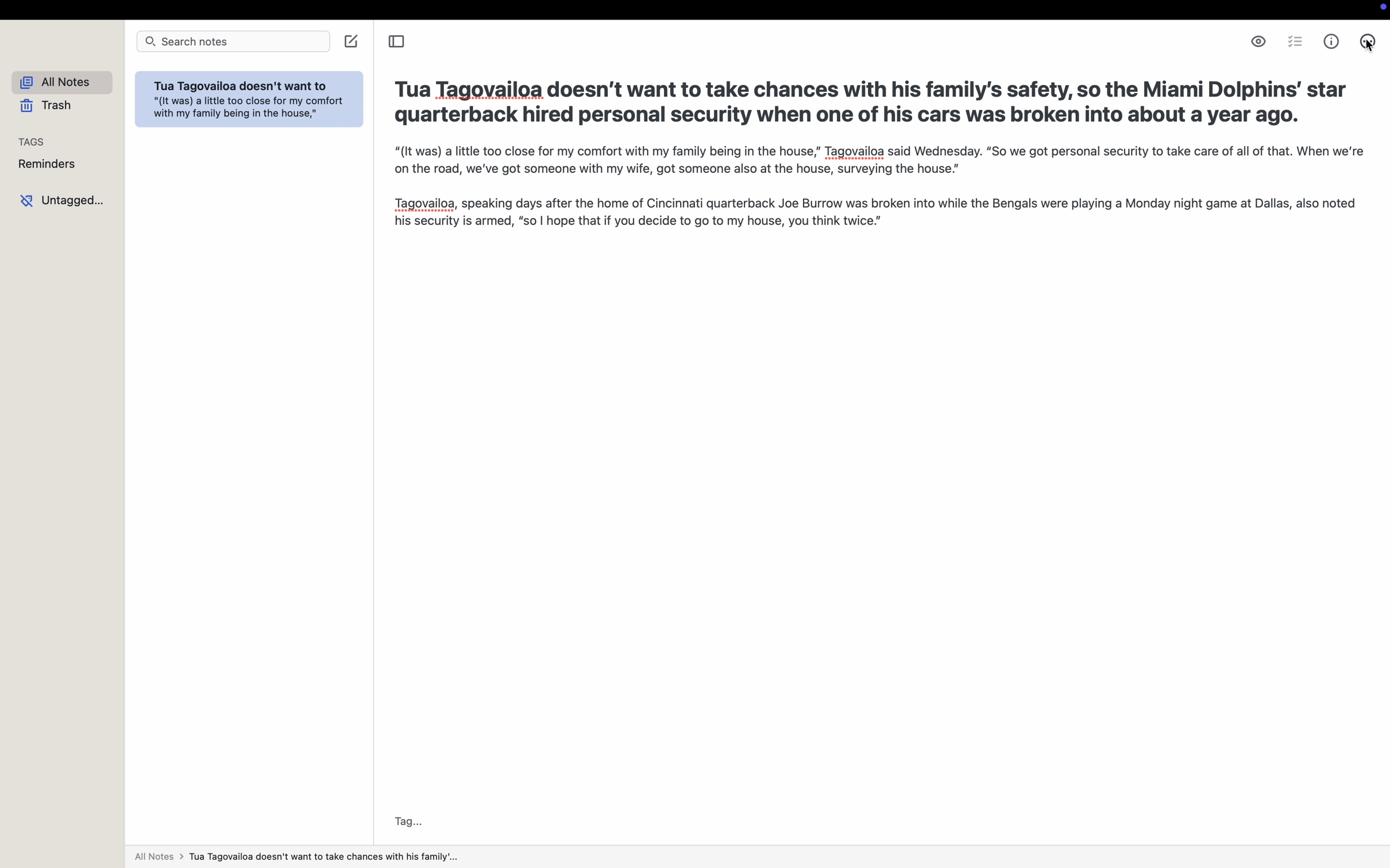 This screenshot has width=1390, height=868. I want to click on untagged, so click(61, 200).